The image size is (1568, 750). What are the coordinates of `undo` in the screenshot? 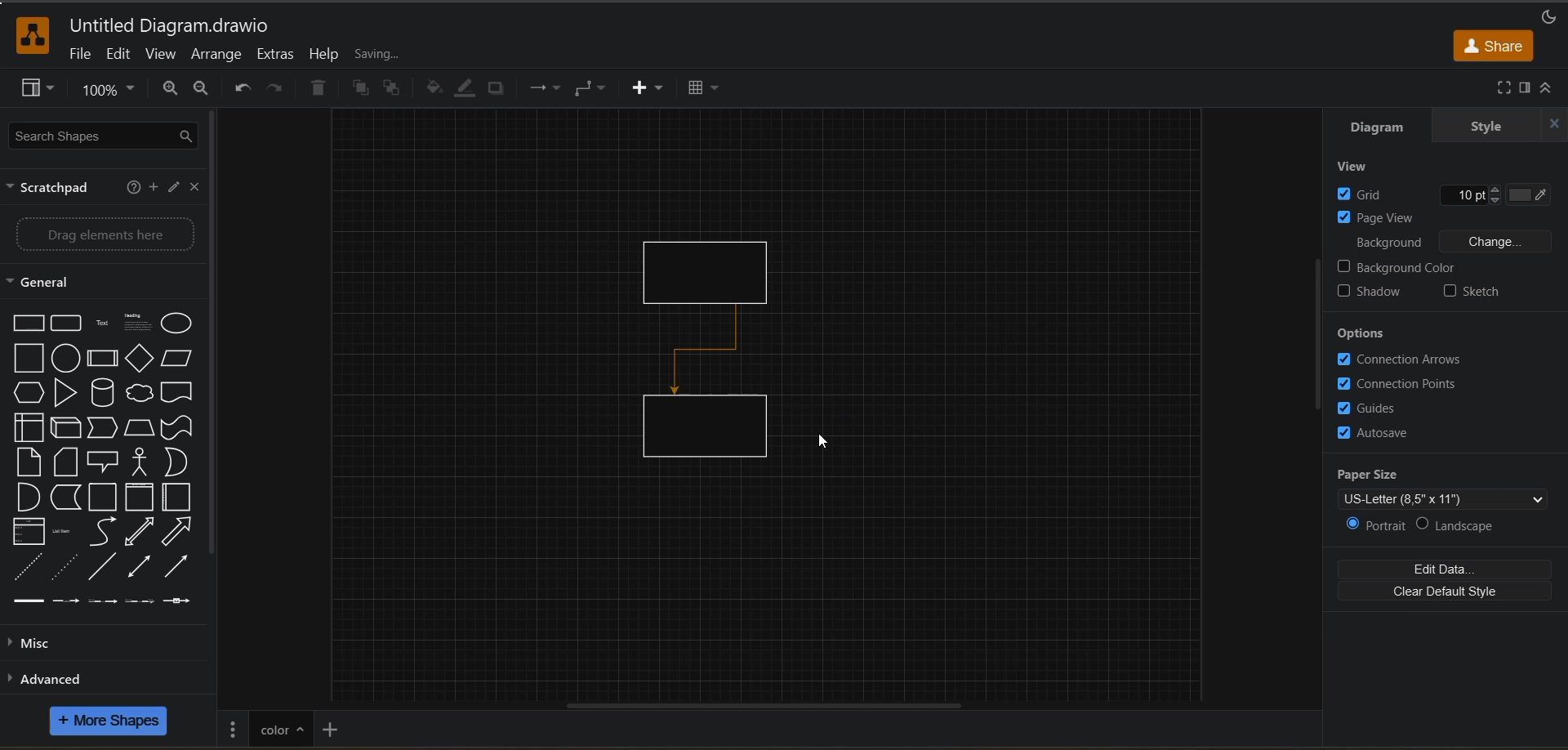 It's located at (240, 88).